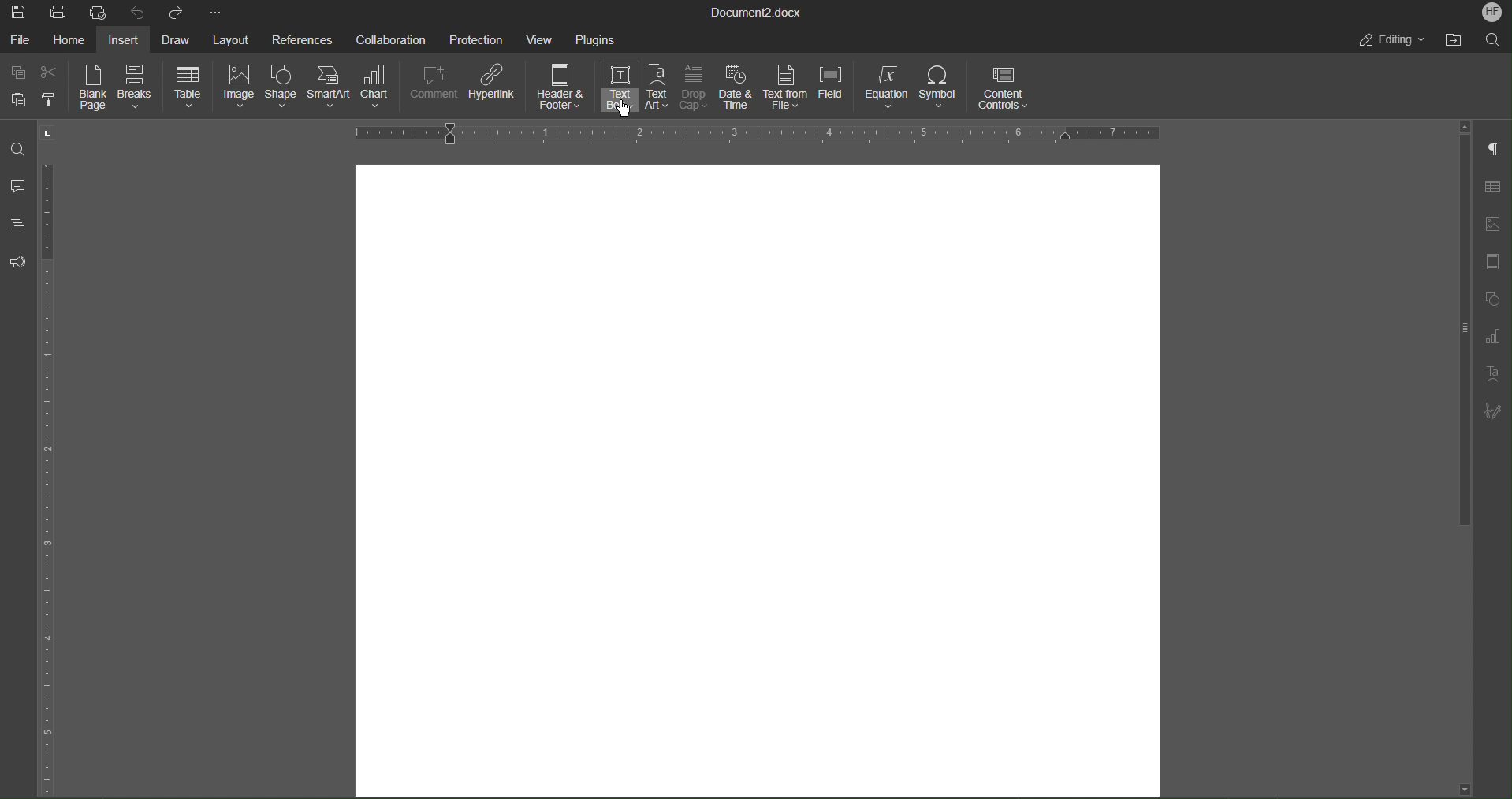  Describe the element at coordinates (620, 87) in the screenshot. I see `Text Box` at that location.